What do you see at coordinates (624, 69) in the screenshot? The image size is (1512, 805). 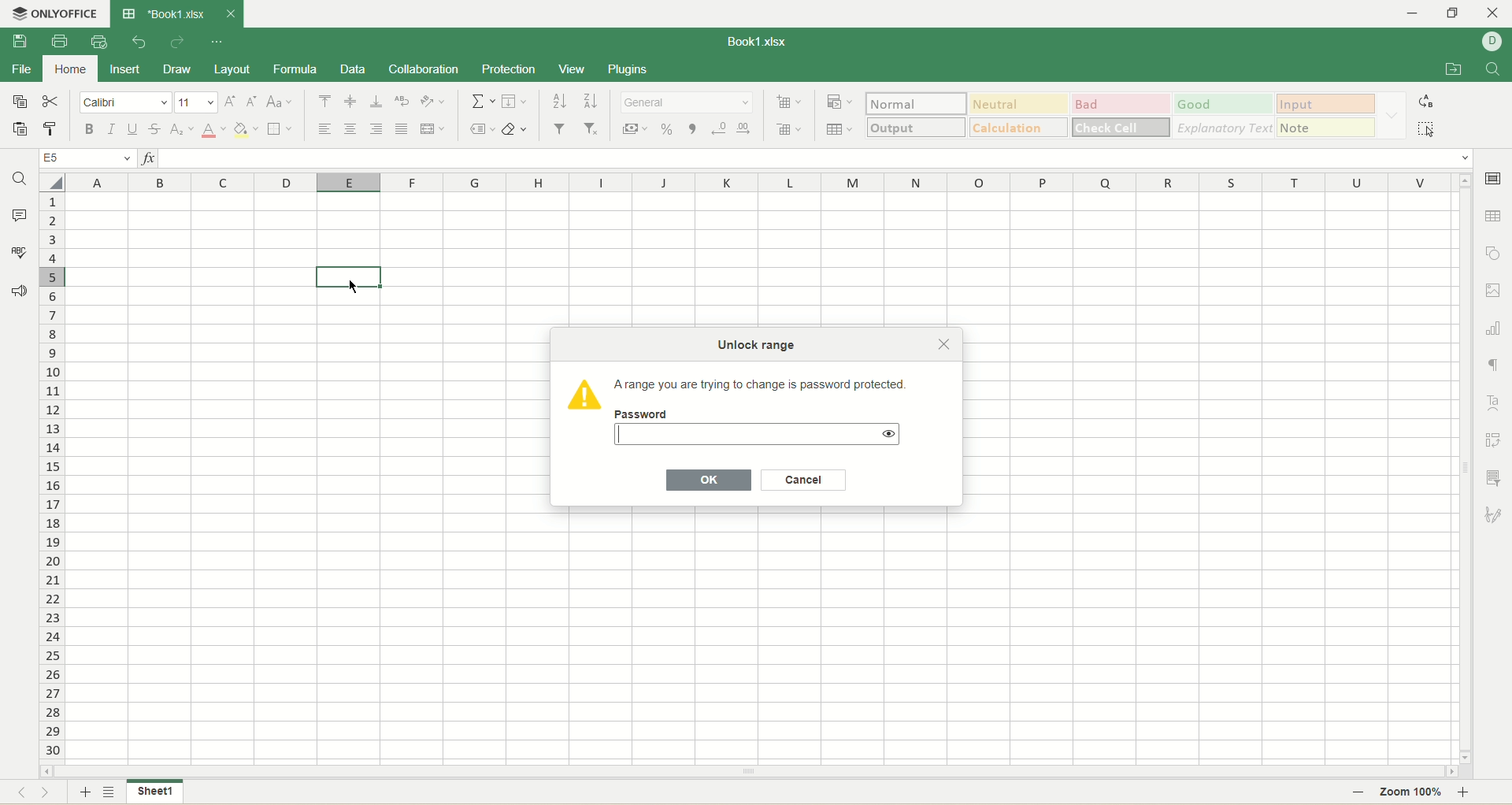 I see `plugins` at bounding box center [624, 69].